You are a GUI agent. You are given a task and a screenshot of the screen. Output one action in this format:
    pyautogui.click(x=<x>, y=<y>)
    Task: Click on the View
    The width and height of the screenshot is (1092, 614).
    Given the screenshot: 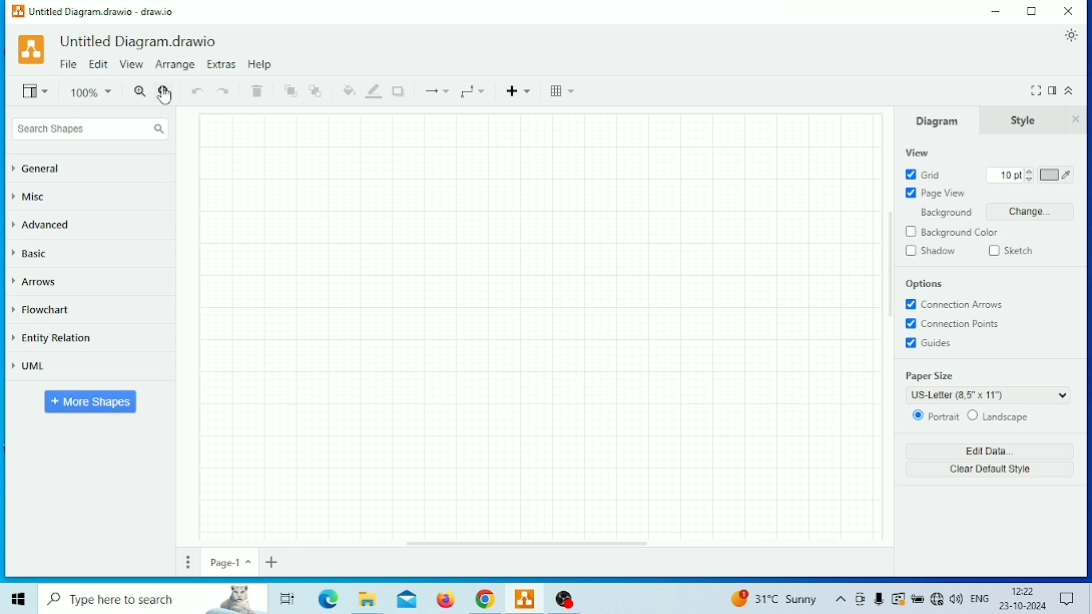 What is the action you would take?
    pyautogui.click(x=38, y=90)
    